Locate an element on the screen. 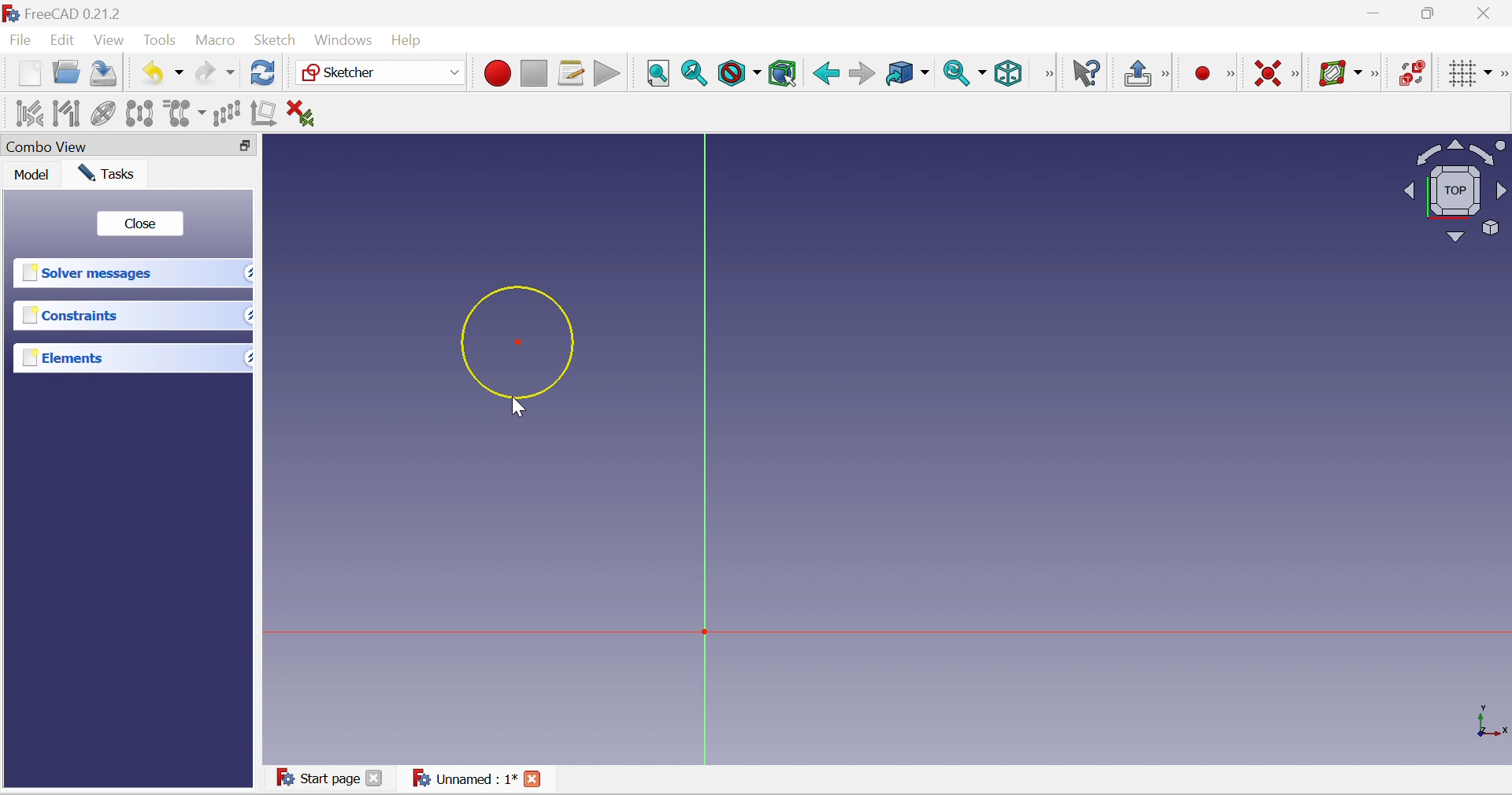 The width and height of the screenshot is (1512, 795). Undo is located at coordinates (160, 72).